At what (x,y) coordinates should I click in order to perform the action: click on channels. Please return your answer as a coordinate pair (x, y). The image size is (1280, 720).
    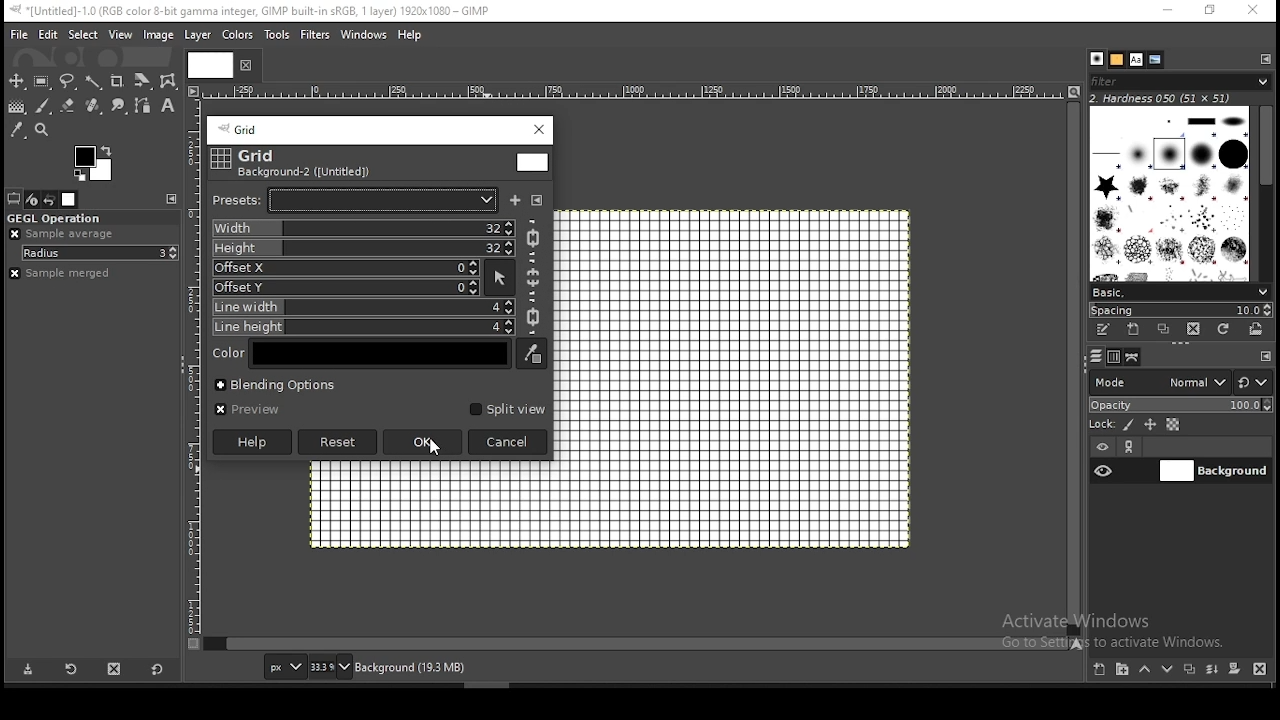
    Looking at the image, I should click on (1116, 358).